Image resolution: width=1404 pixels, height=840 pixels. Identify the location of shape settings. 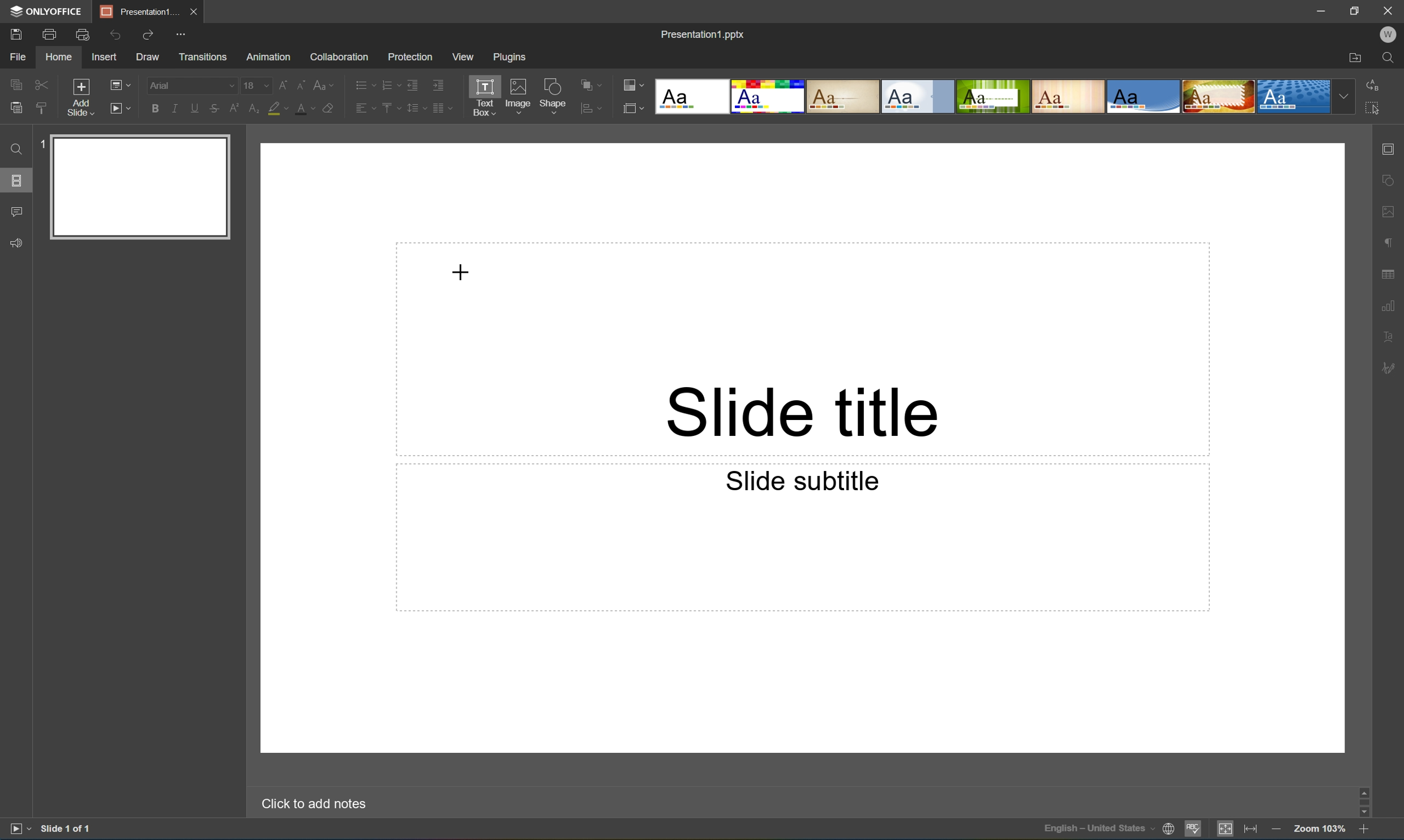
(1390, 181).